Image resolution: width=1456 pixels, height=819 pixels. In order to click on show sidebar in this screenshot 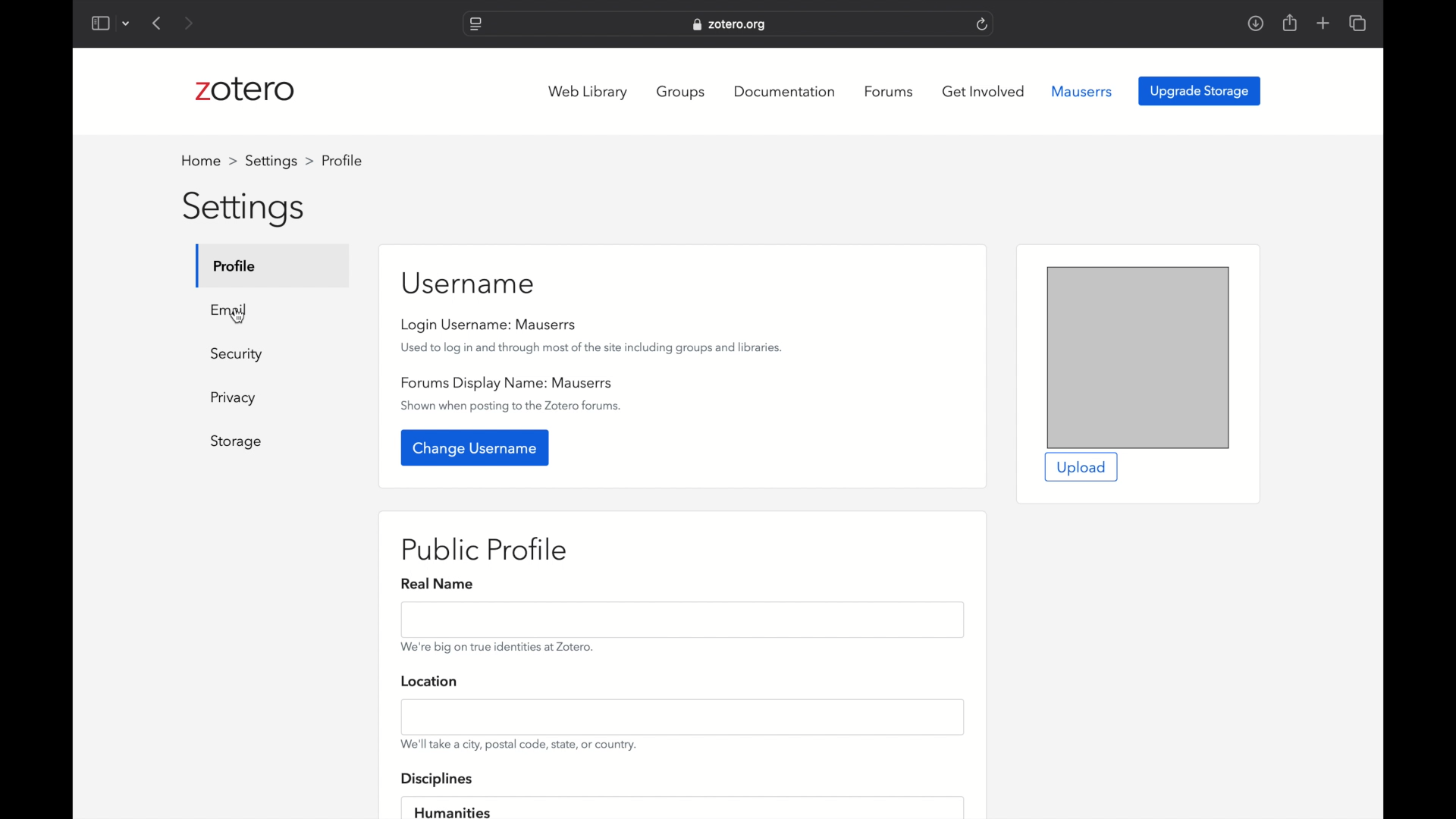, I will do `click(99, 23)`.